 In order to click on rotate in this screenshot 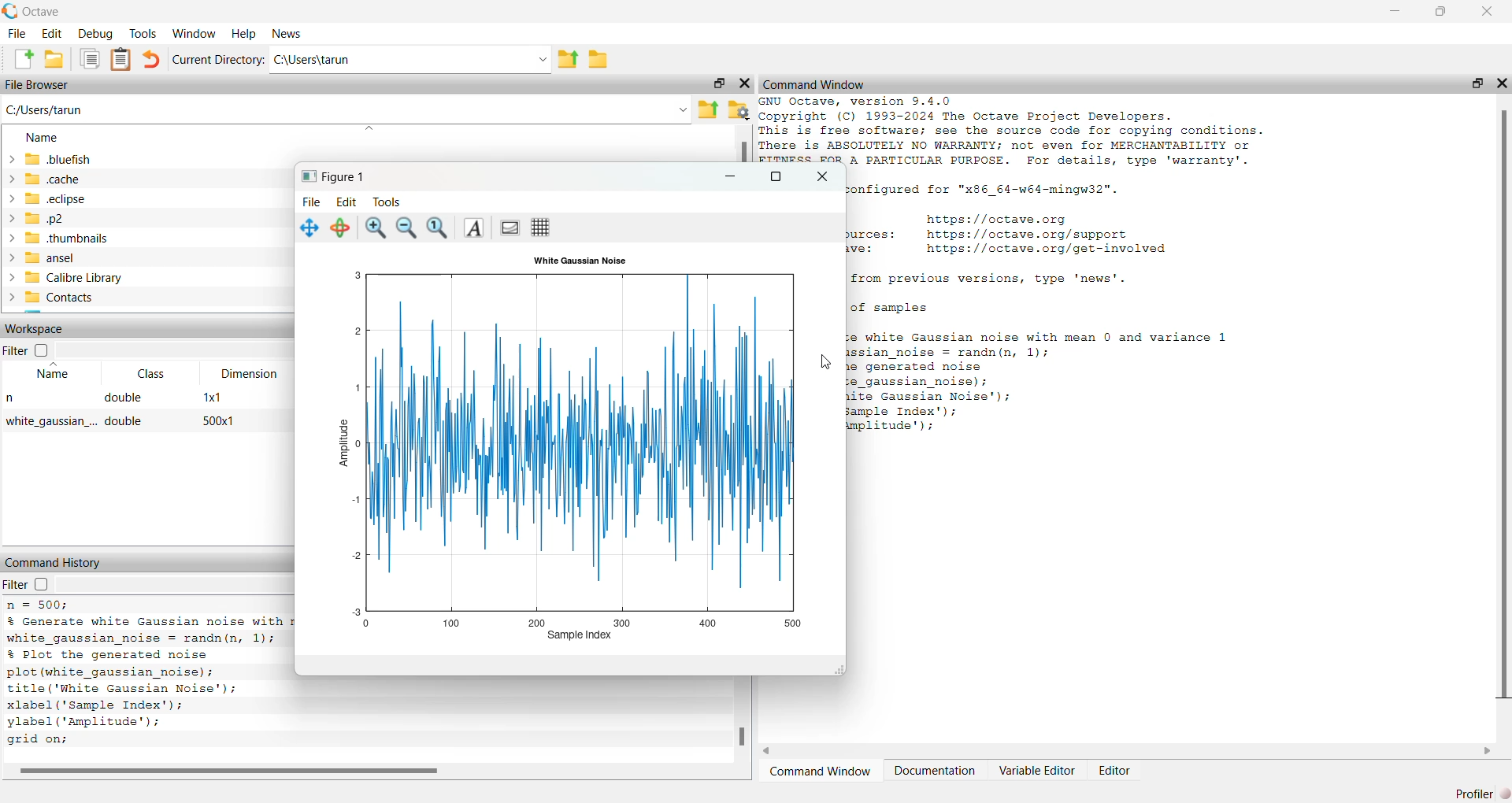, I will do `click(339, 228)`.